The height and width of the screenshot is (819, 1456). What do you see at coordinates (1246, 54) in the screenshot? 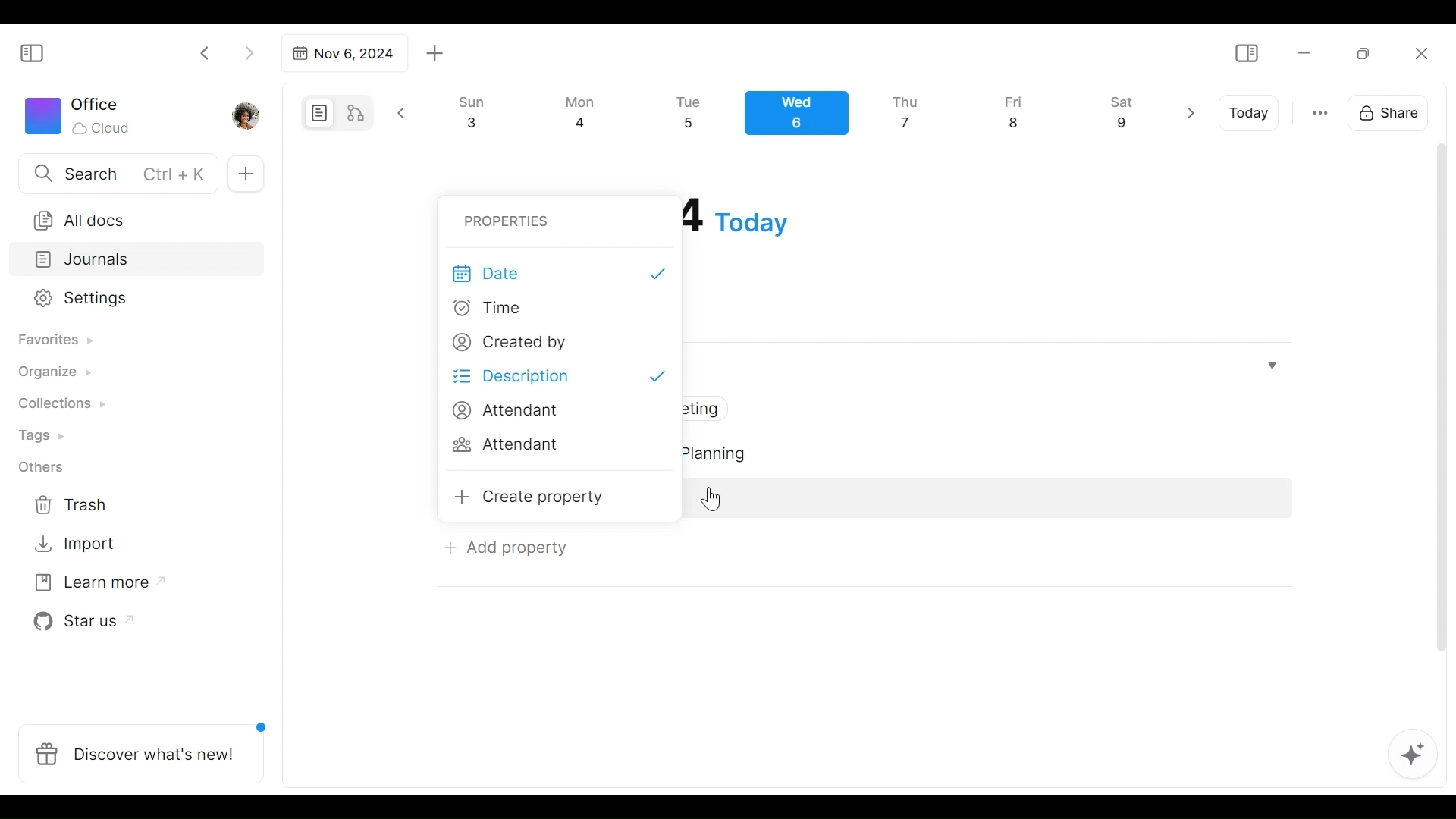
I see `Show/Hide Sidebar` at bounding box center [1246, 54].